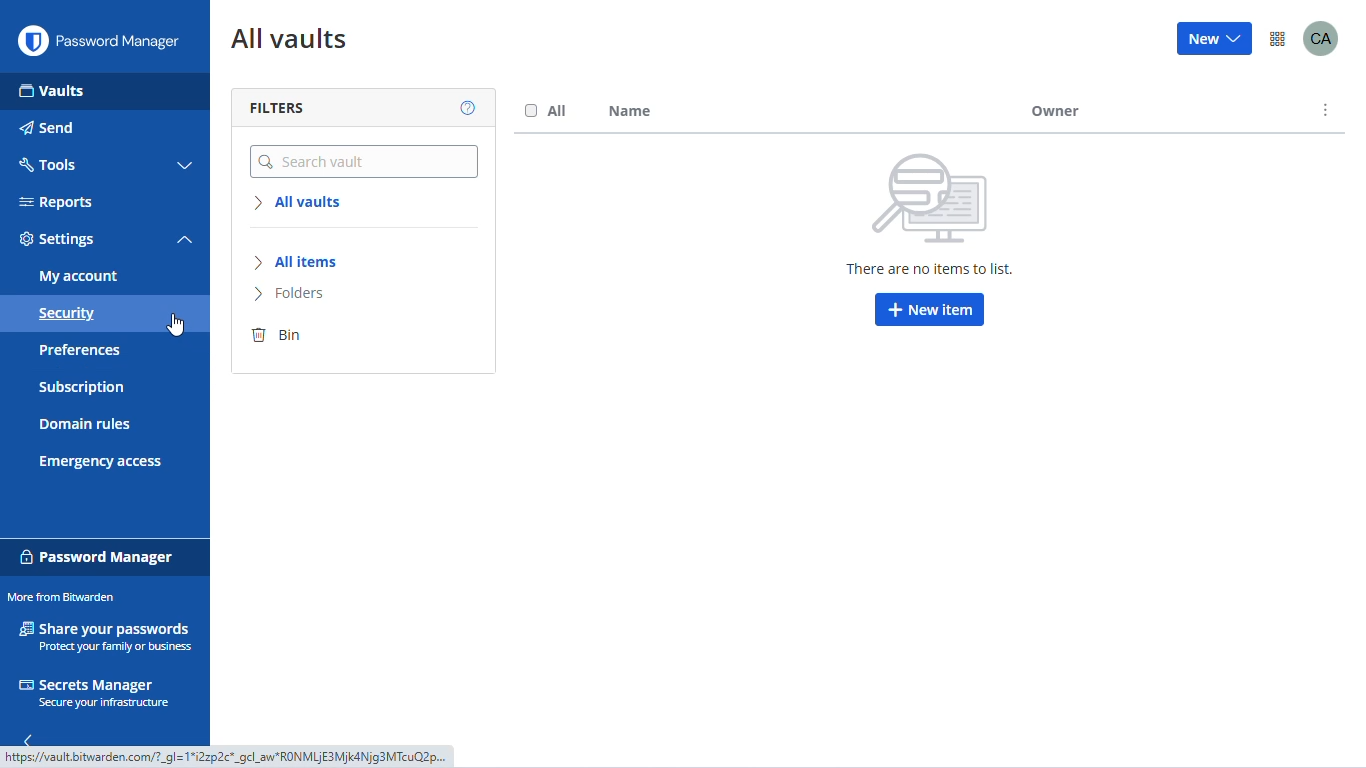 Image resolution: width=1366 pixels, height=768 pixels. Describe the element at coordinates (97, 556) in the screenshot. I see `password manager` at that location.